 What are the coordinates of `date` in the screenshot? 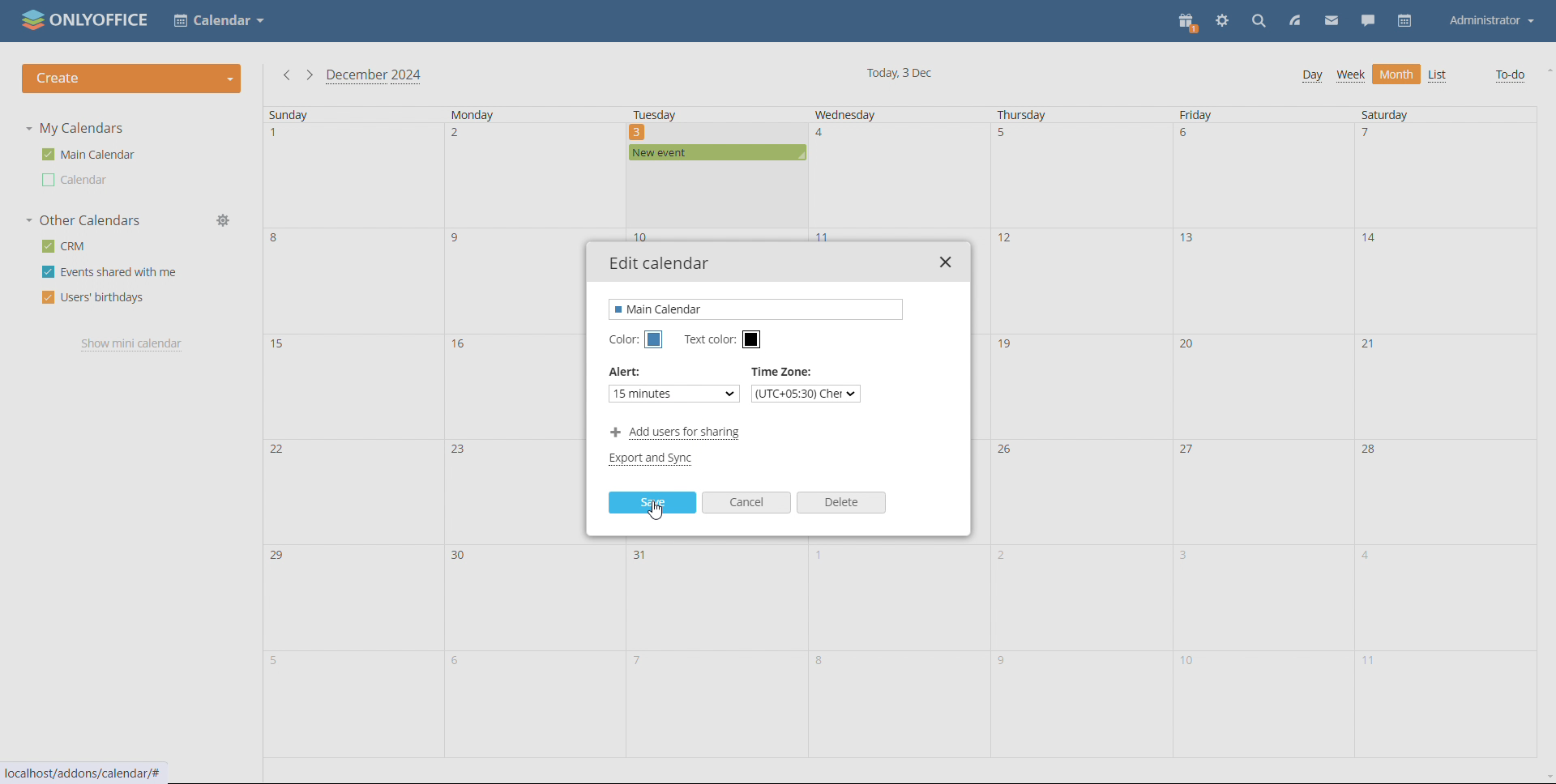 It's located at (353, 489).